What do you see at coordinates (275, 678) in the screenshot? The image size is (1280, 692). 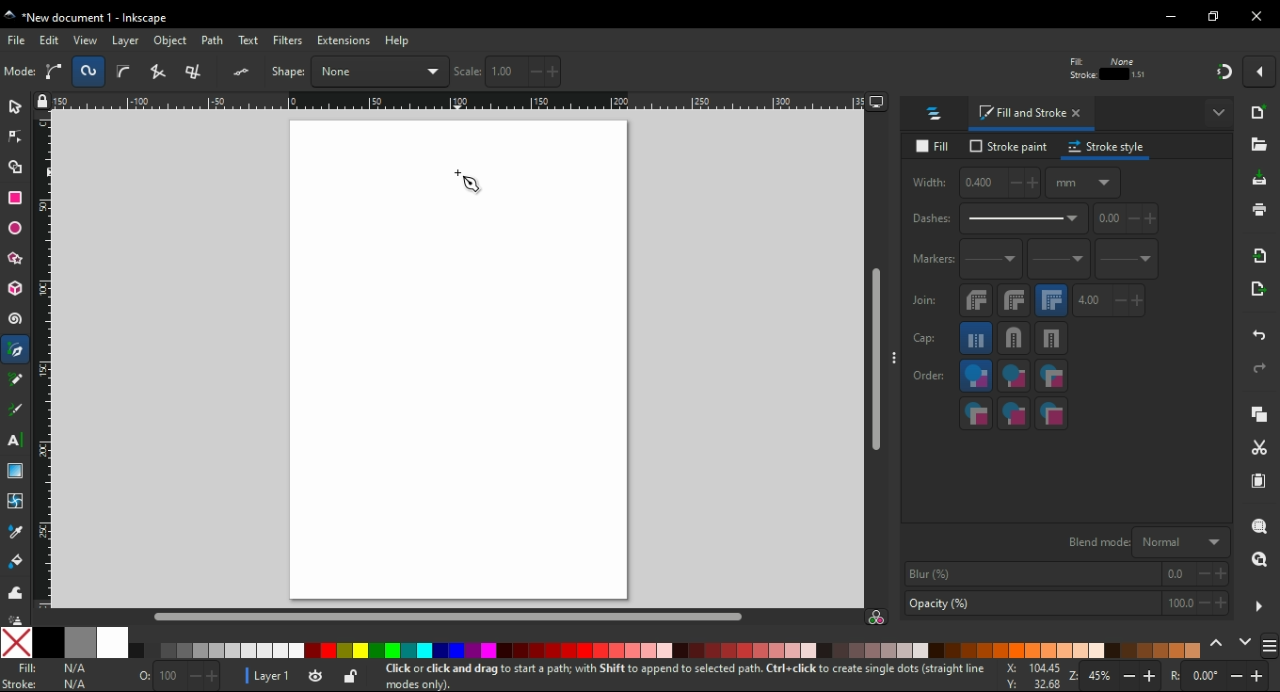 I see `Layer 1` at bounding box center [275, 678].